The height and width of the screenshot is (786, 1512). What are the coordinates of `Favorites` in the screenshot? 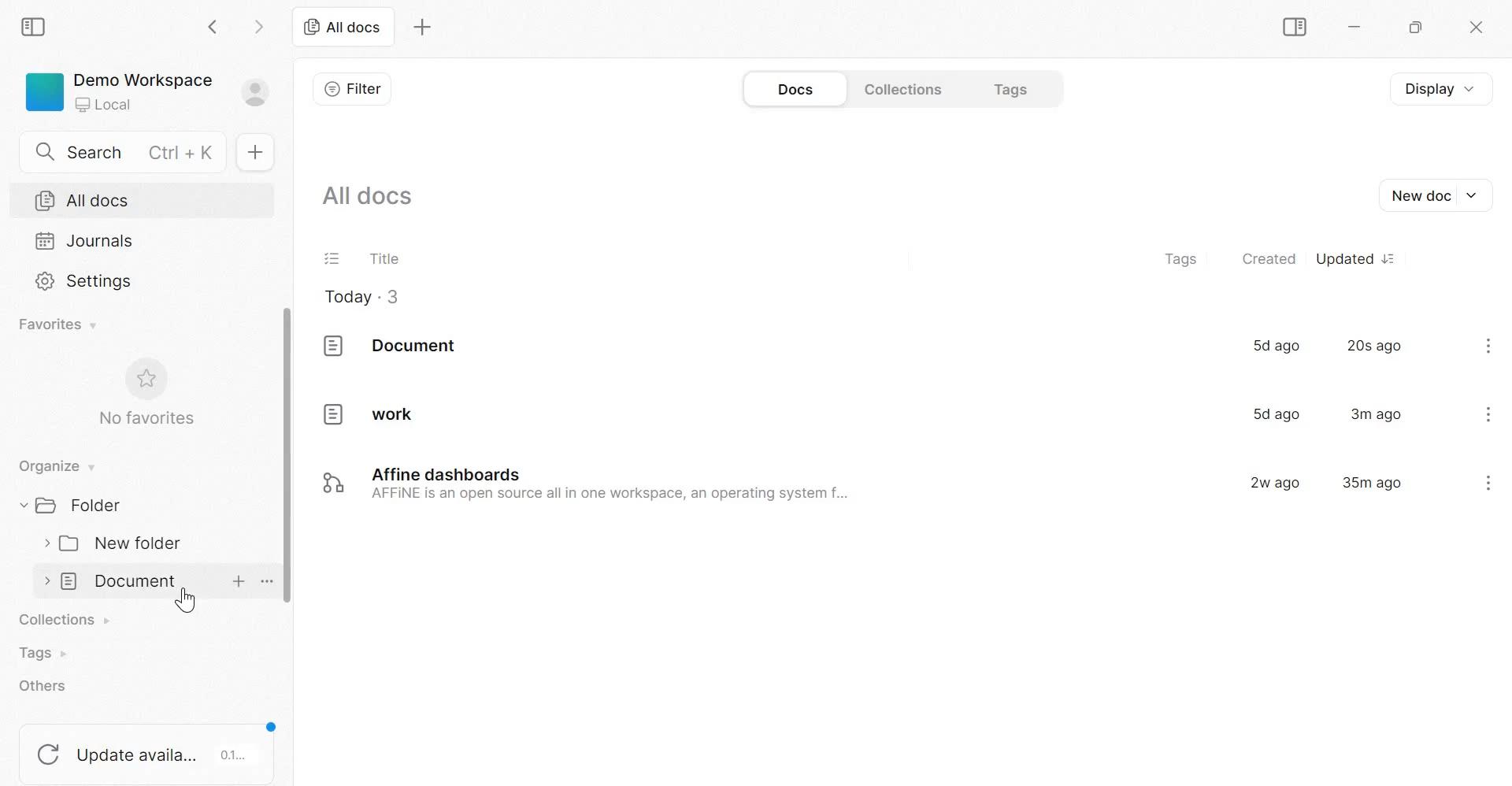 It's located at (55, 324).